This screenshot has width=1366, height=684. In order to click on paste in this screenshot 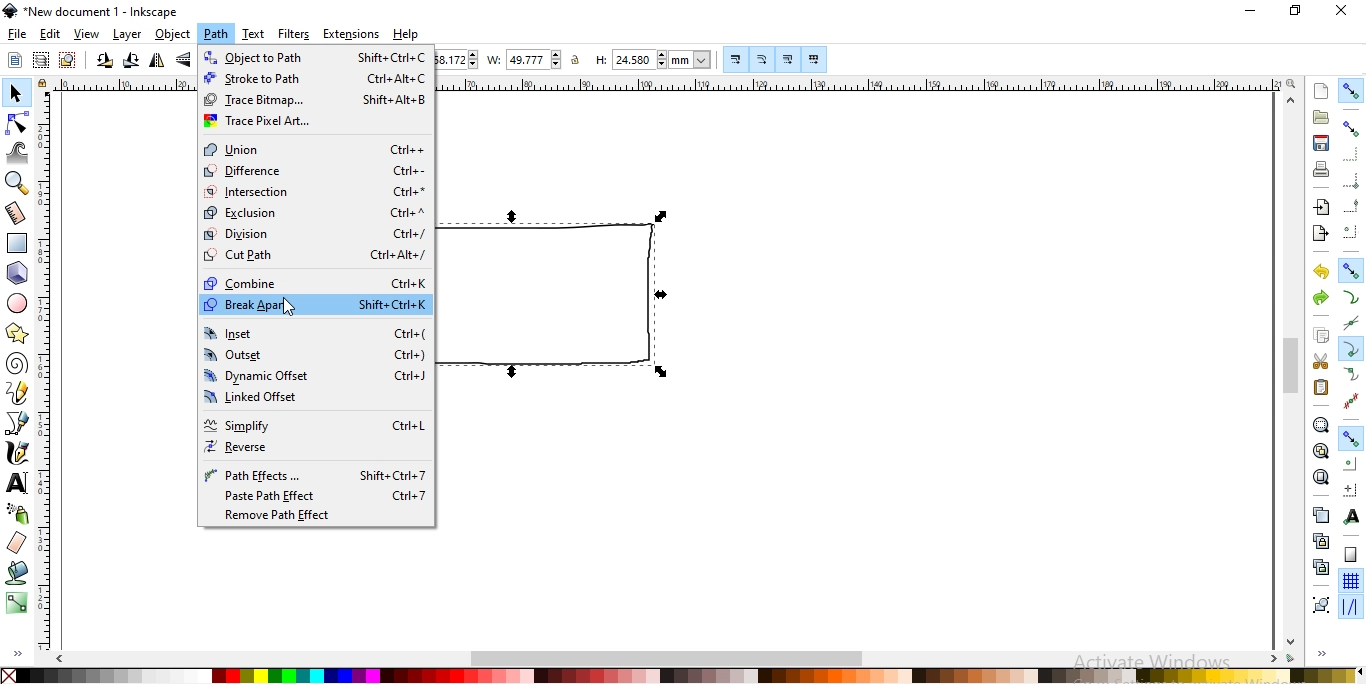, I will do `click(1320, 388)`.